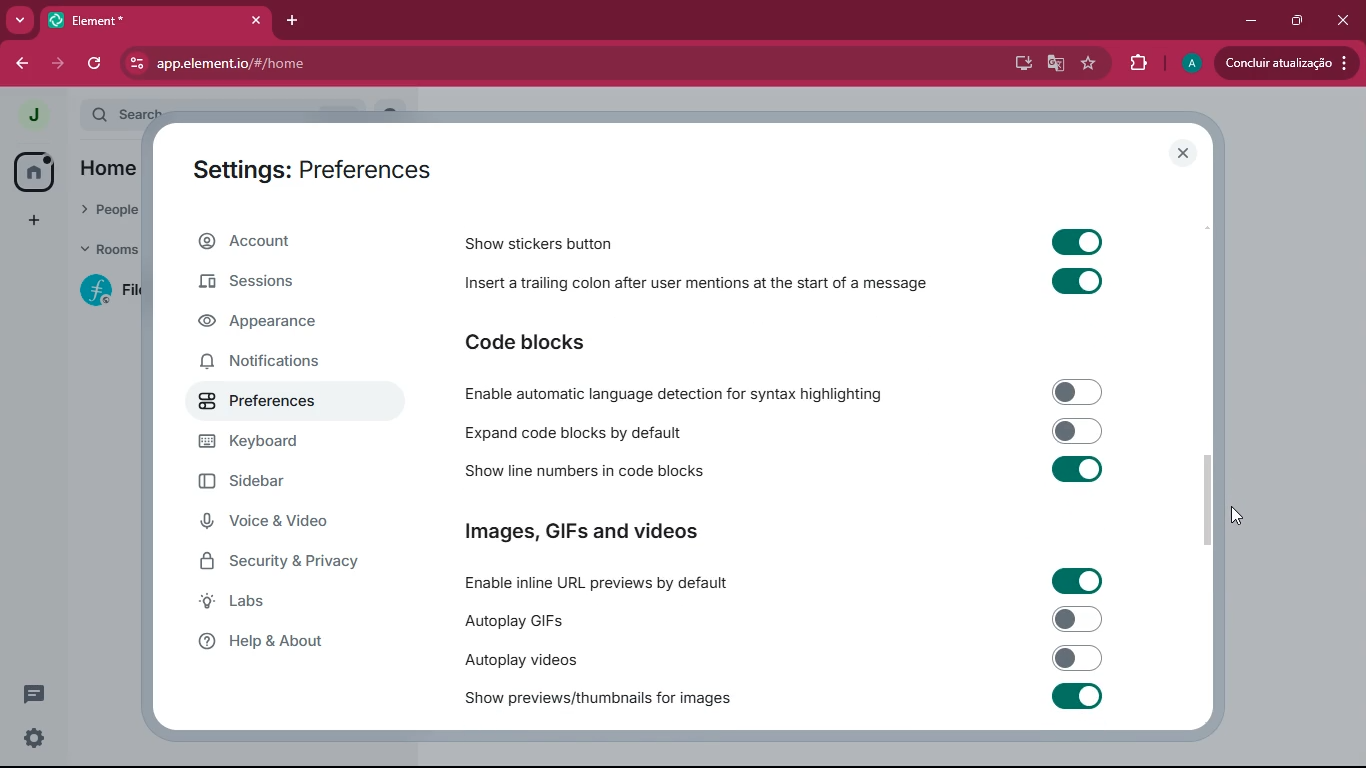 The height and width of the screenshot is (768, 1366). Describe the element at coordinates (96, 63) in the screenshot. I see `refresh` at that location.